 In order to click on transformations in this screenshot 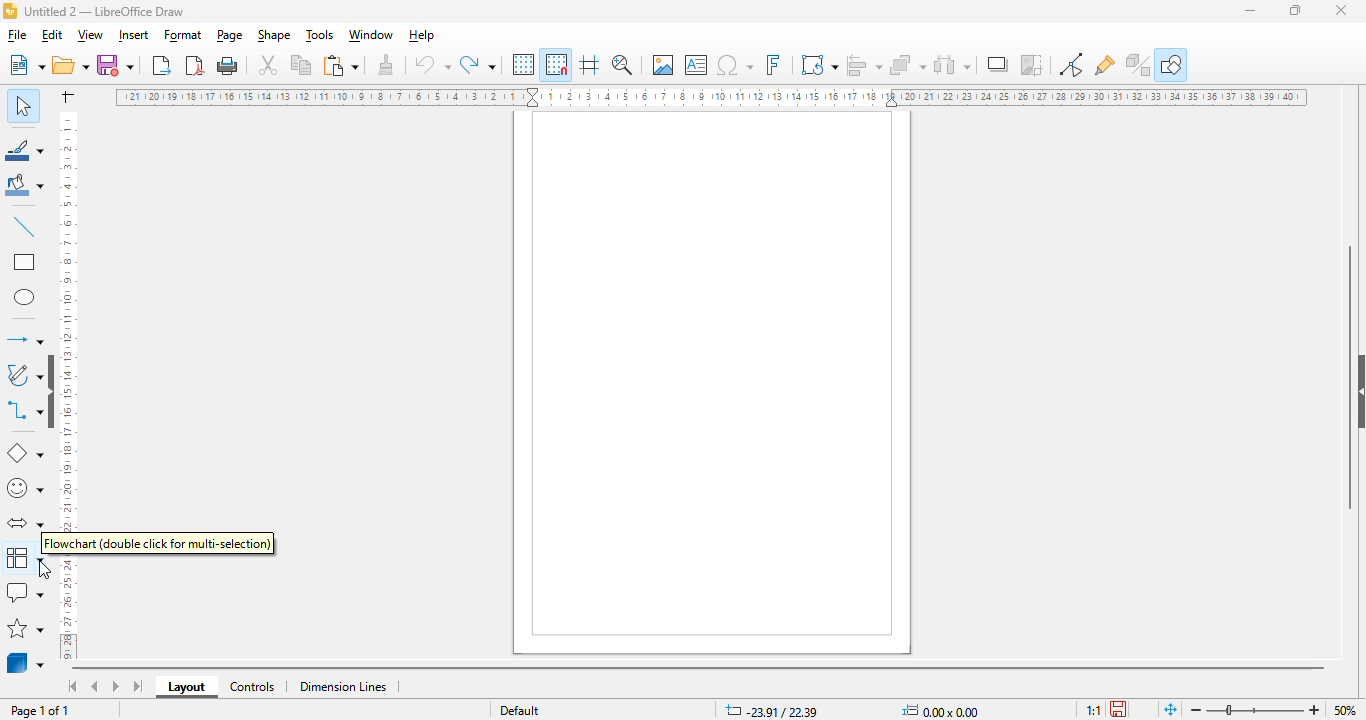, I will do `click(819, 65)`.